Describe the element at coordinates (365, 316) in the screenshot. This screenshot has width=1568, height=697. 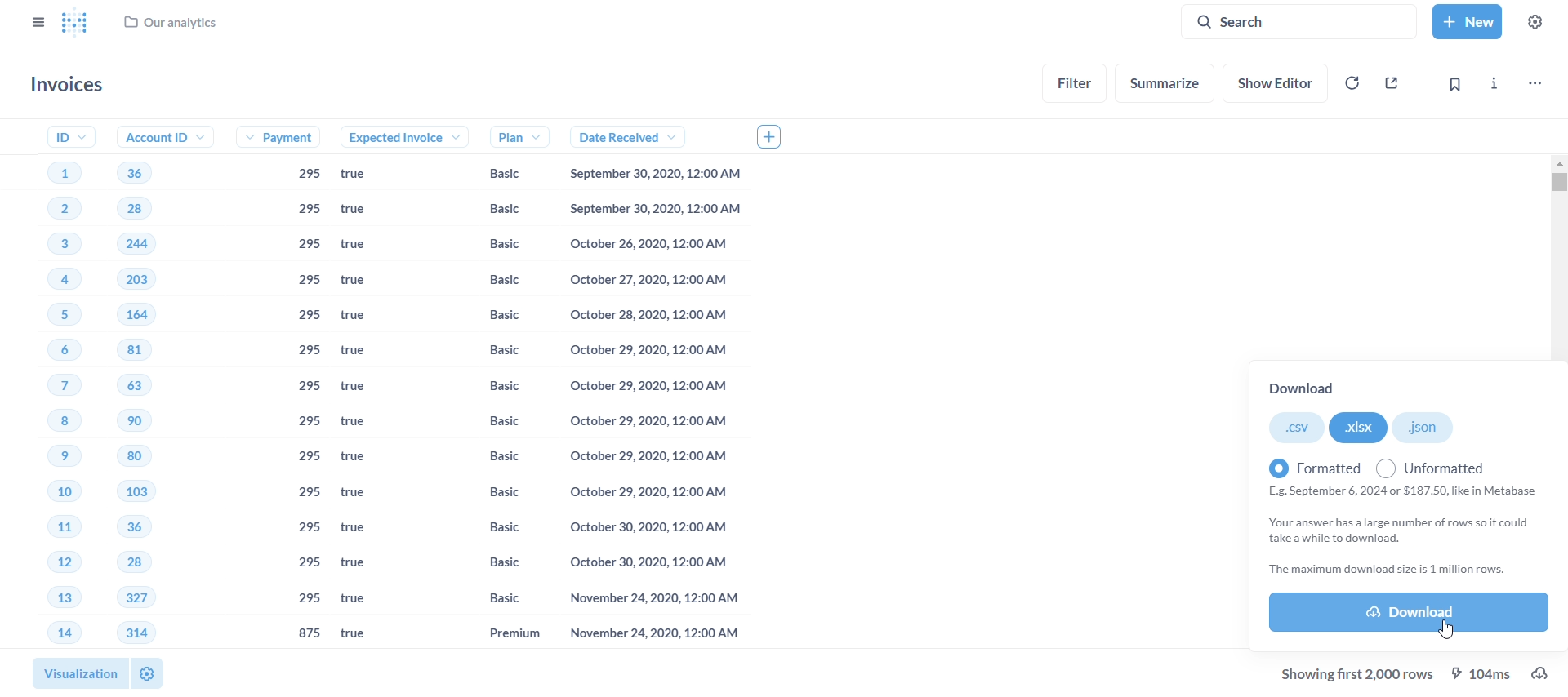
I see `true` at that location.